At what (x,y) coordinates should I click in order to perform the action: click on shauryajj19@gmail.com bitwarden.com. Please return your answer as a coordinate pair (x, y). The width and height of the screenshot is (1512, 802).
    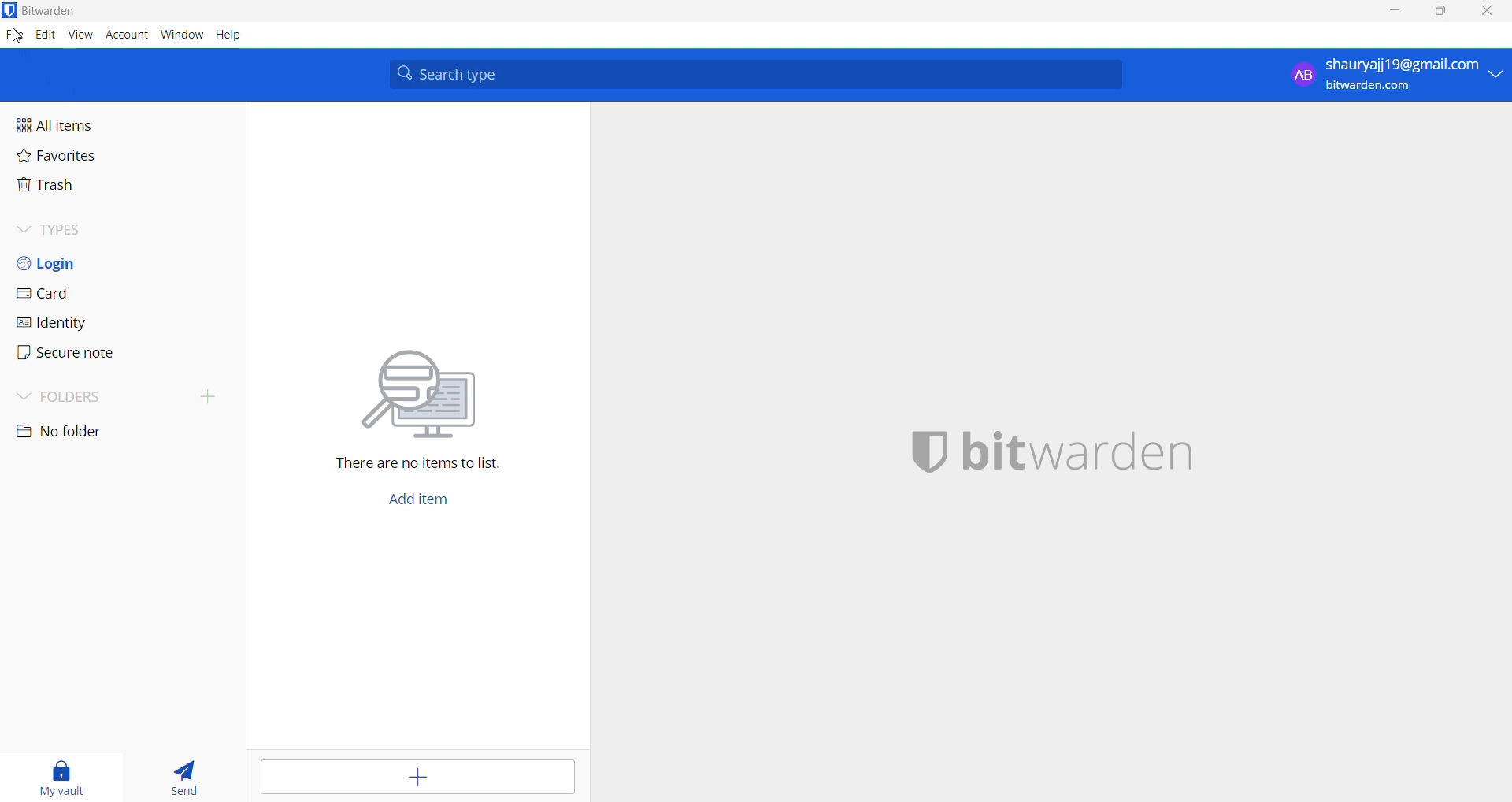
    Looking at the image, I should click on (1414, 75).